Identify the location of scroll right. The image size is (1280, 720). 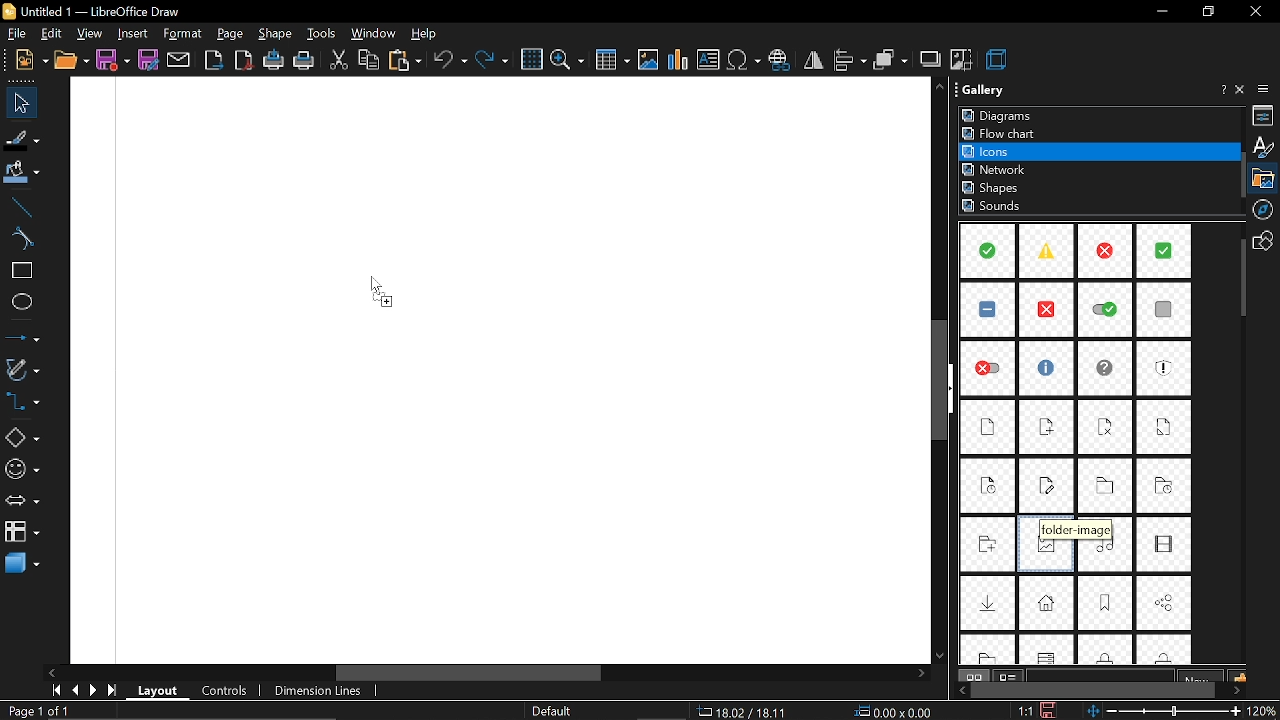
(919, 674).